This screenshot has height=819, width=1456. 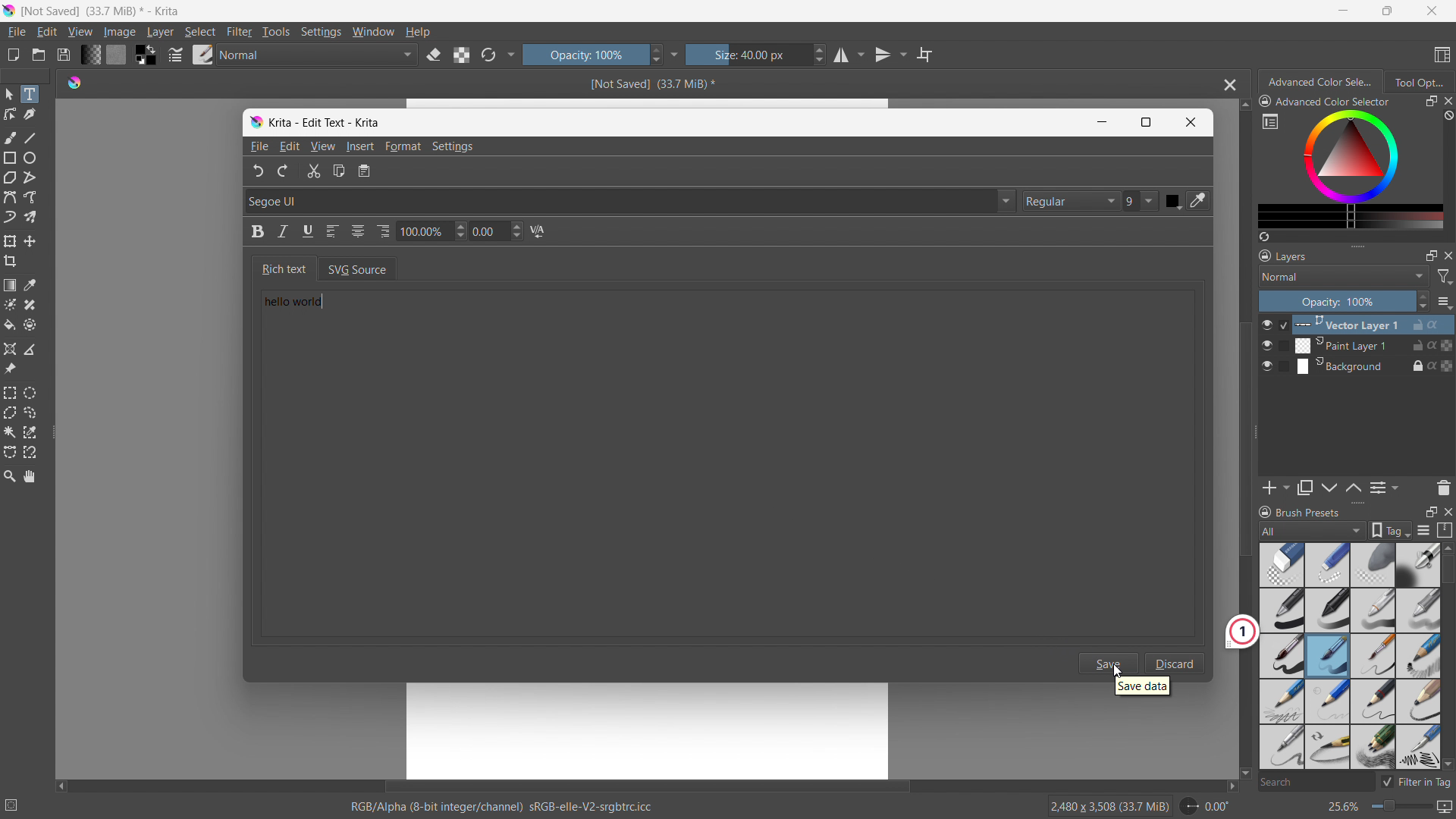 I want to click on storage resource, so click(x=1445, y=530).